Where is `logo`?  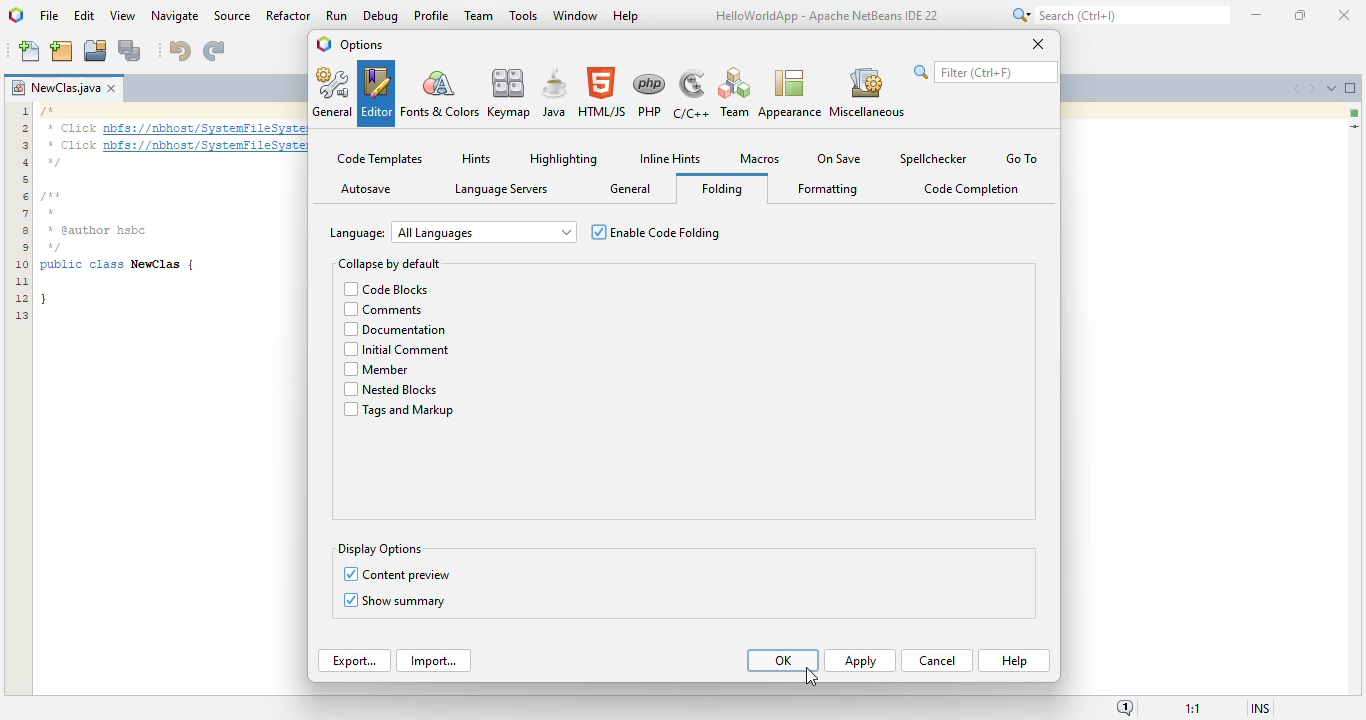 logo is located at coordinates (16, 15).